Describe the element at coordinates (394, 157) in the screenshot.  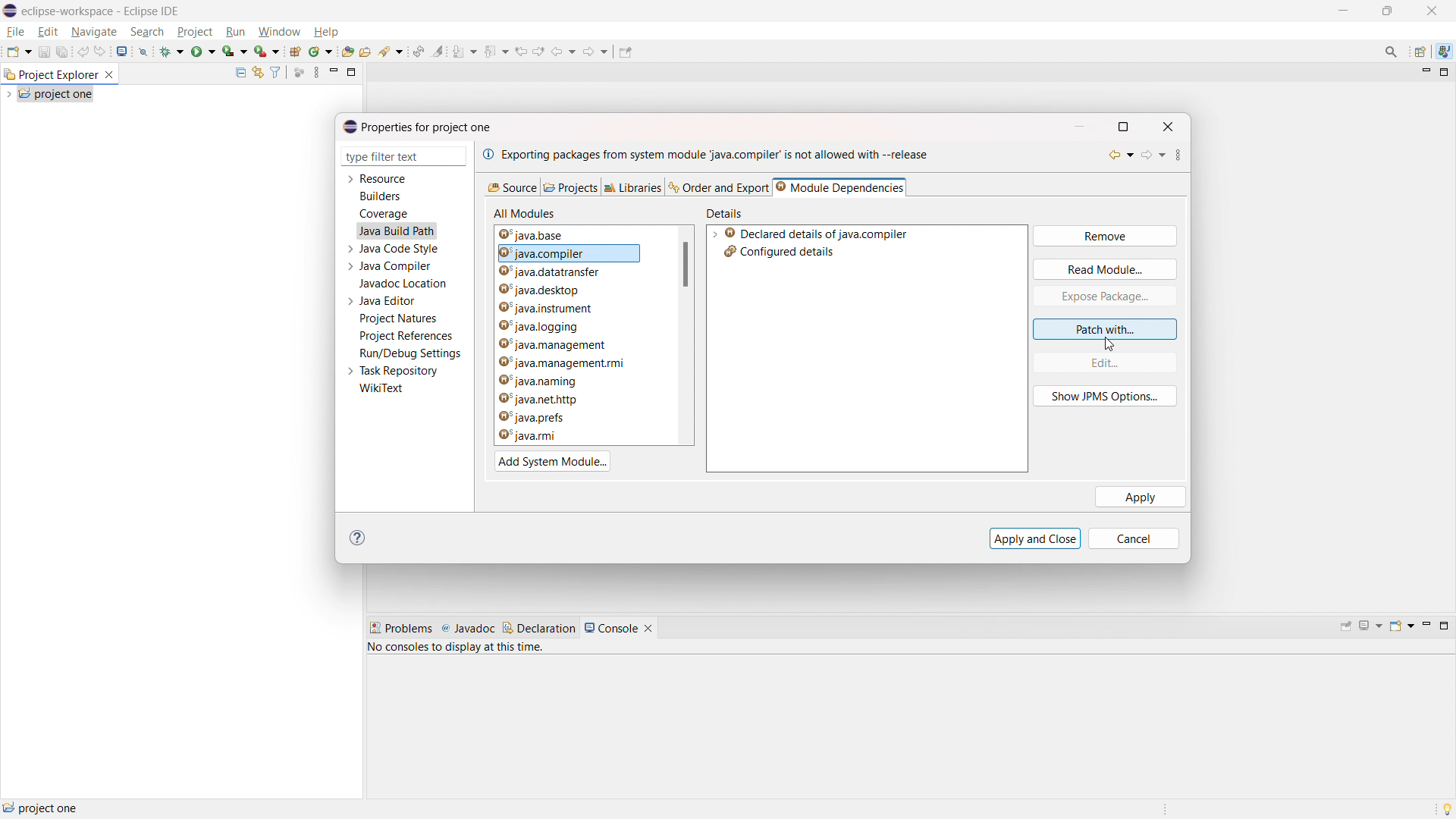
I see `type filter text` at that location.